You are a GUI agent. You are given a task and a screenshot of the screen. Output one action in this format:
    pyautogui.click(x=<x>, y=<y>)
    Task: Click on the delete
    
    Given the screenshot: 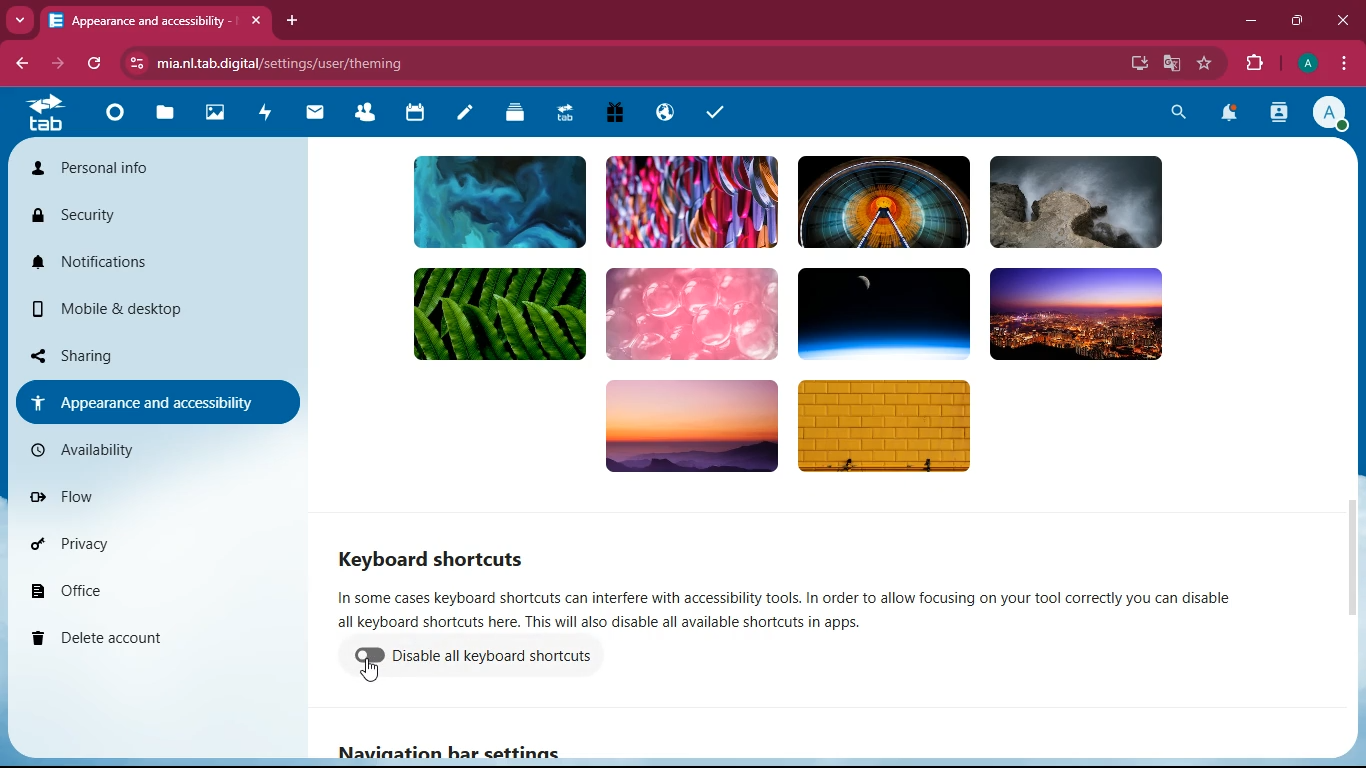 What is the action you would take?
    pyautogui.click(x=161, y=641)
    